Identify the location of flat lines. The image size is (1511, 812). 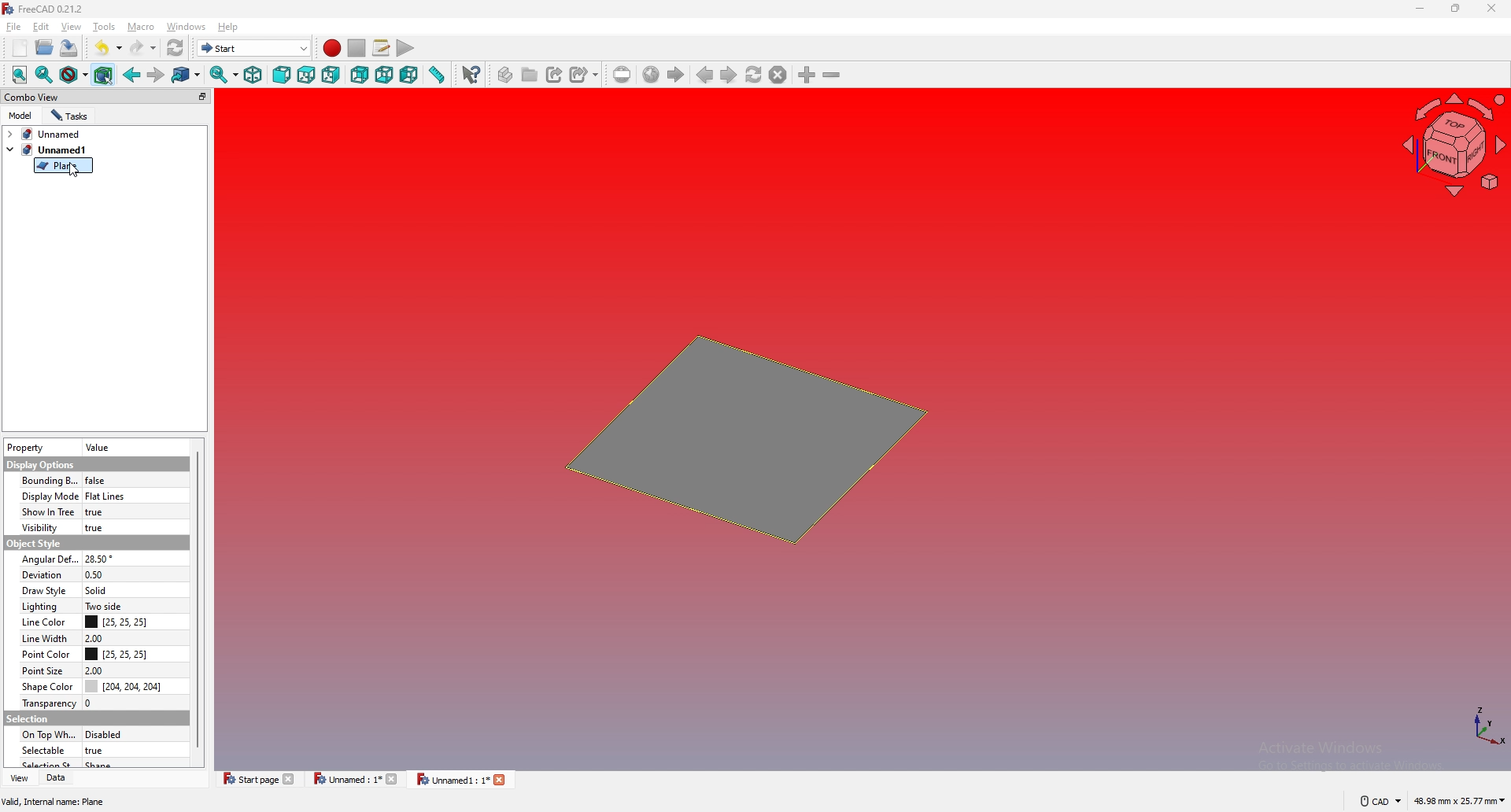
(115, 496).